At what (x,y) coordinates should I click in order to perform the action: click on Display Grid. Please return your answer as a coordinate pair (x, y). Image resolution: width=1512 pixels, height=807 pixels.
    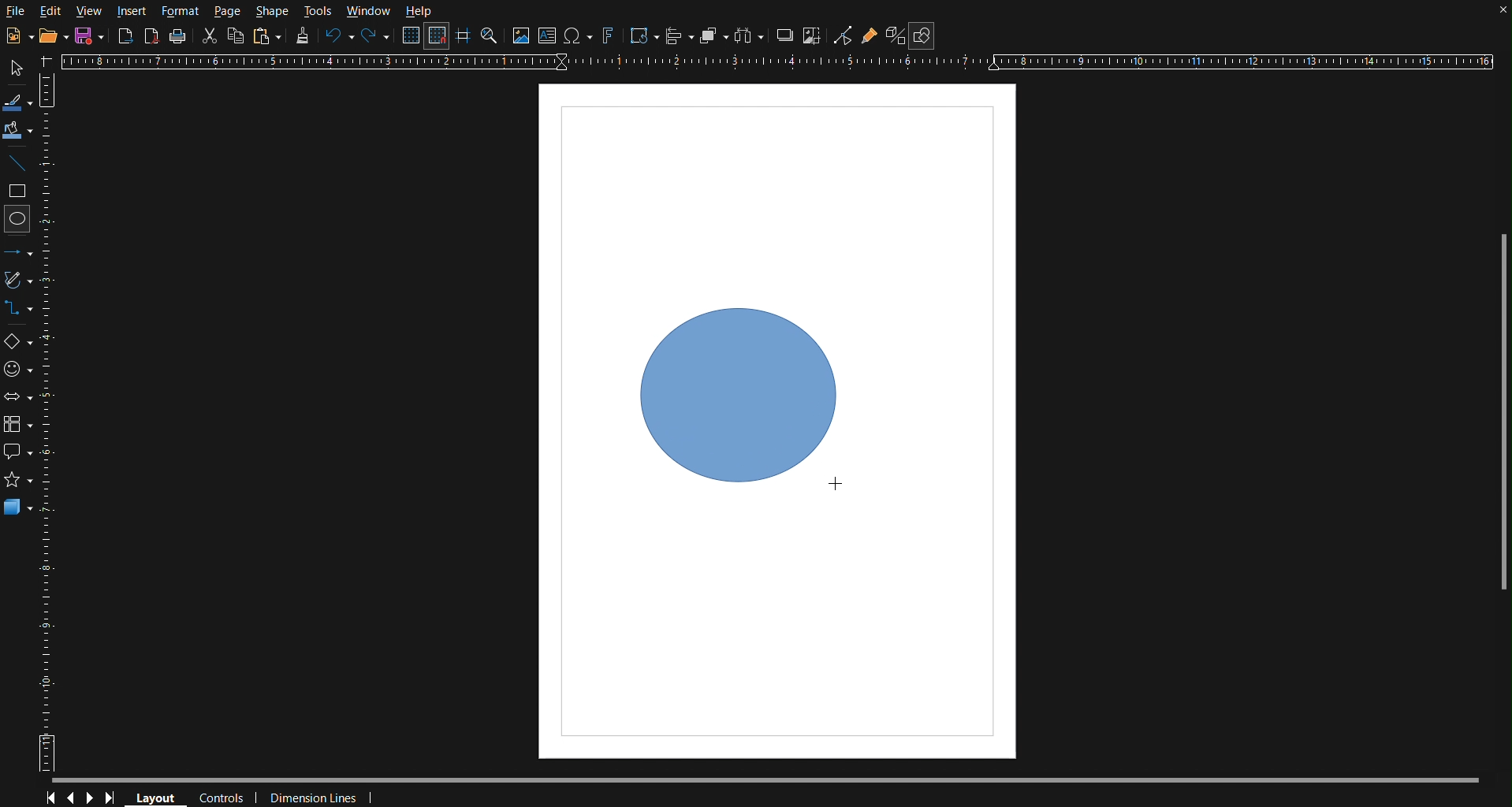
    Looking at the image, I should click on (410, 36).